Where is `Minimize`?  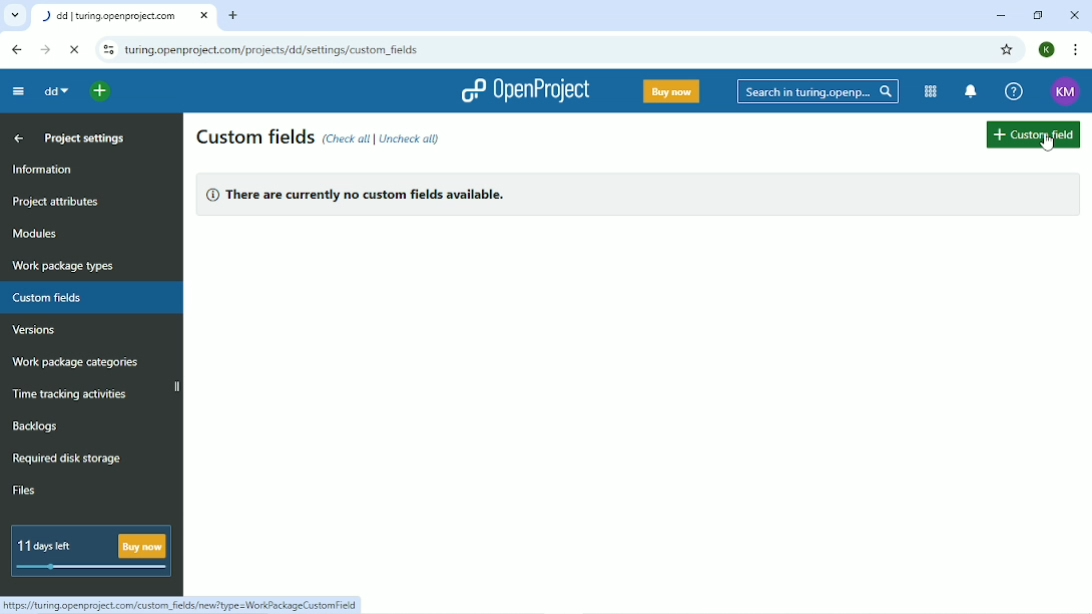 Minimize is located at coordinates (1001, 16).